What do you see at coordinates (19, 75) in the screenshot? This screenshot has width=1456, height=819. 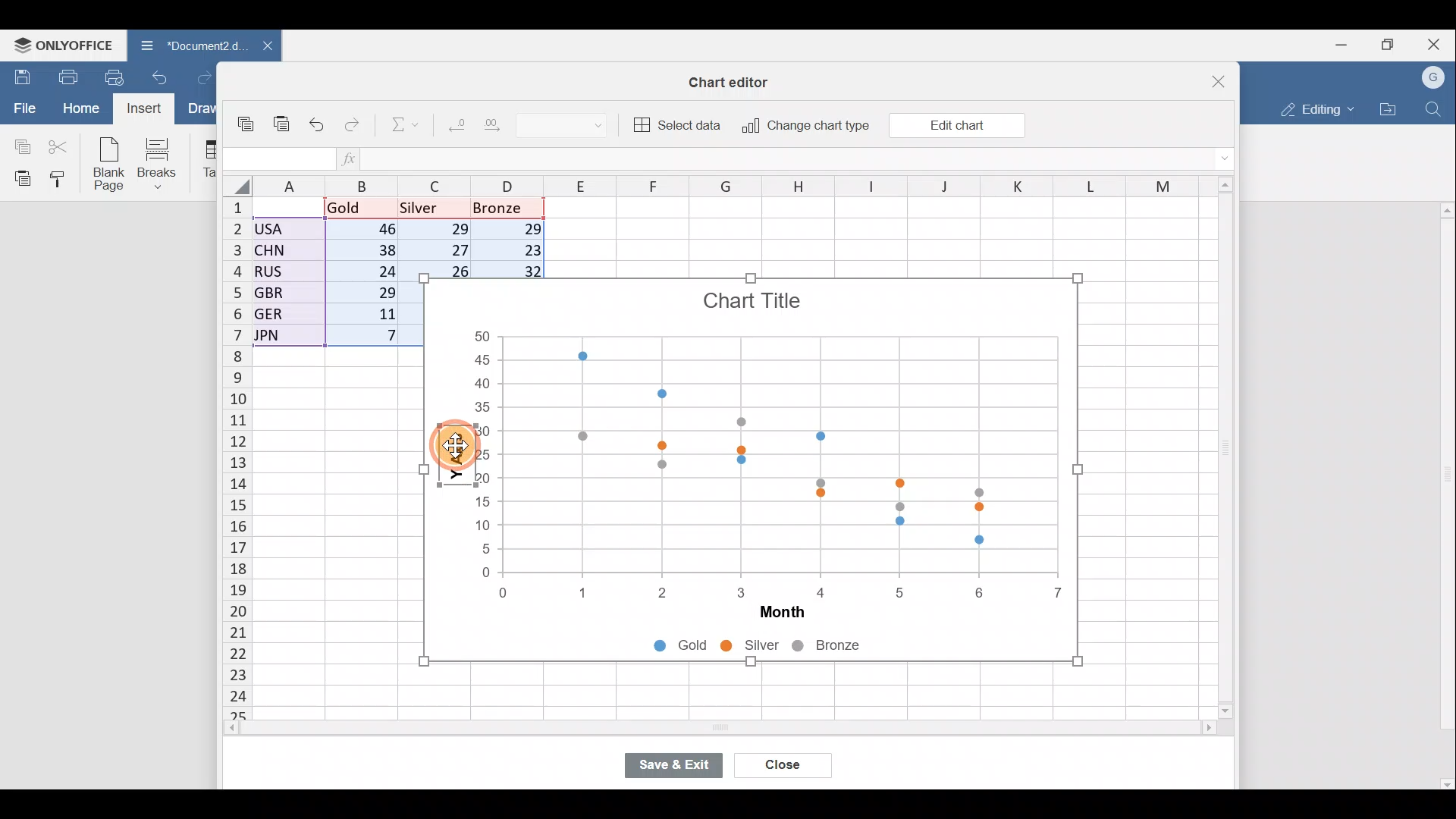 I see `Save` at bounding box center [19, 75].